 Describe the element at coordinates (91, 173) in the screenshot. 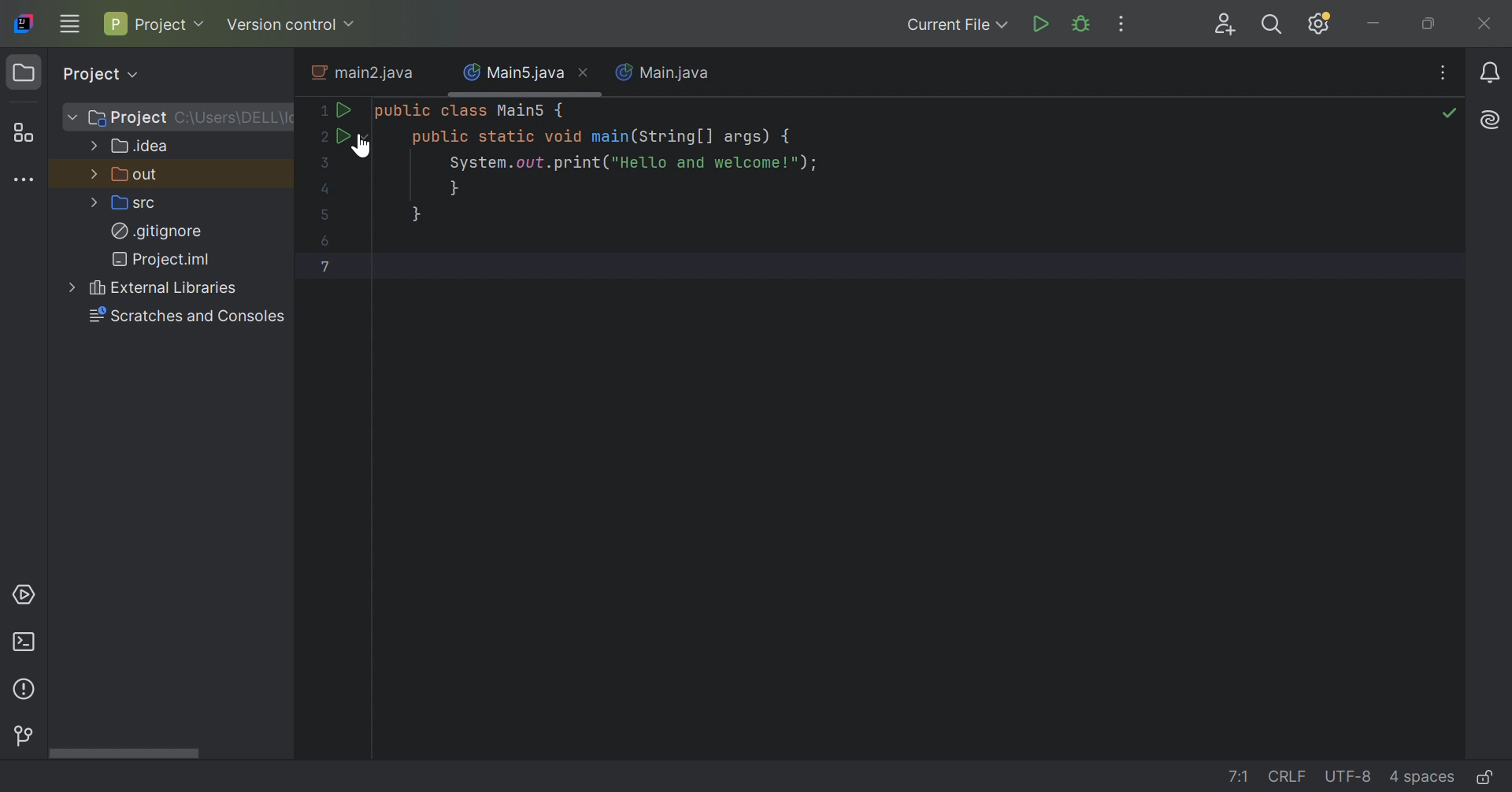

I see `More` at that location.